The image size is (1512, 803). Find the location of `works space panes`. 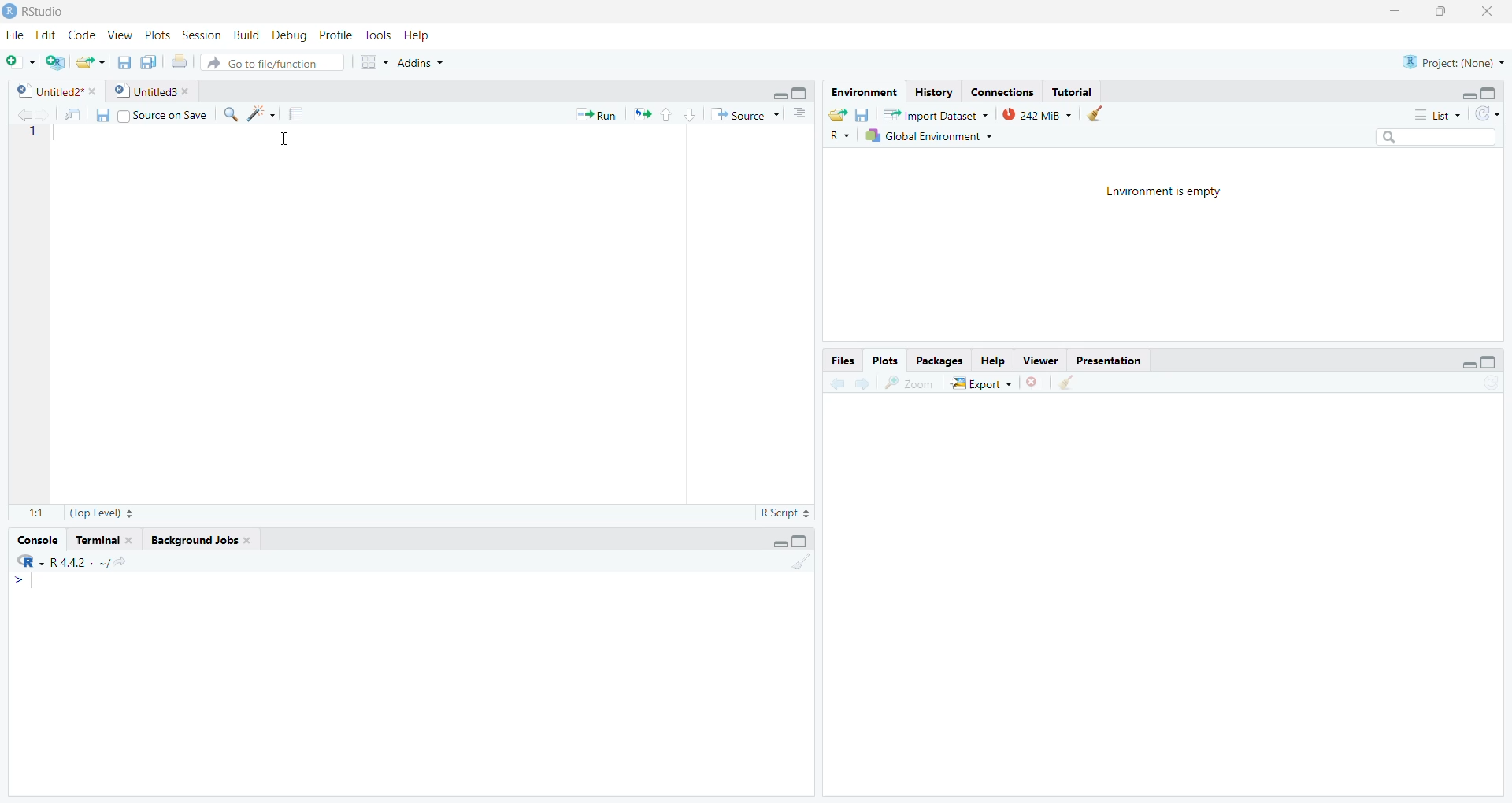

works space panes is located at coordinates (372, 62).